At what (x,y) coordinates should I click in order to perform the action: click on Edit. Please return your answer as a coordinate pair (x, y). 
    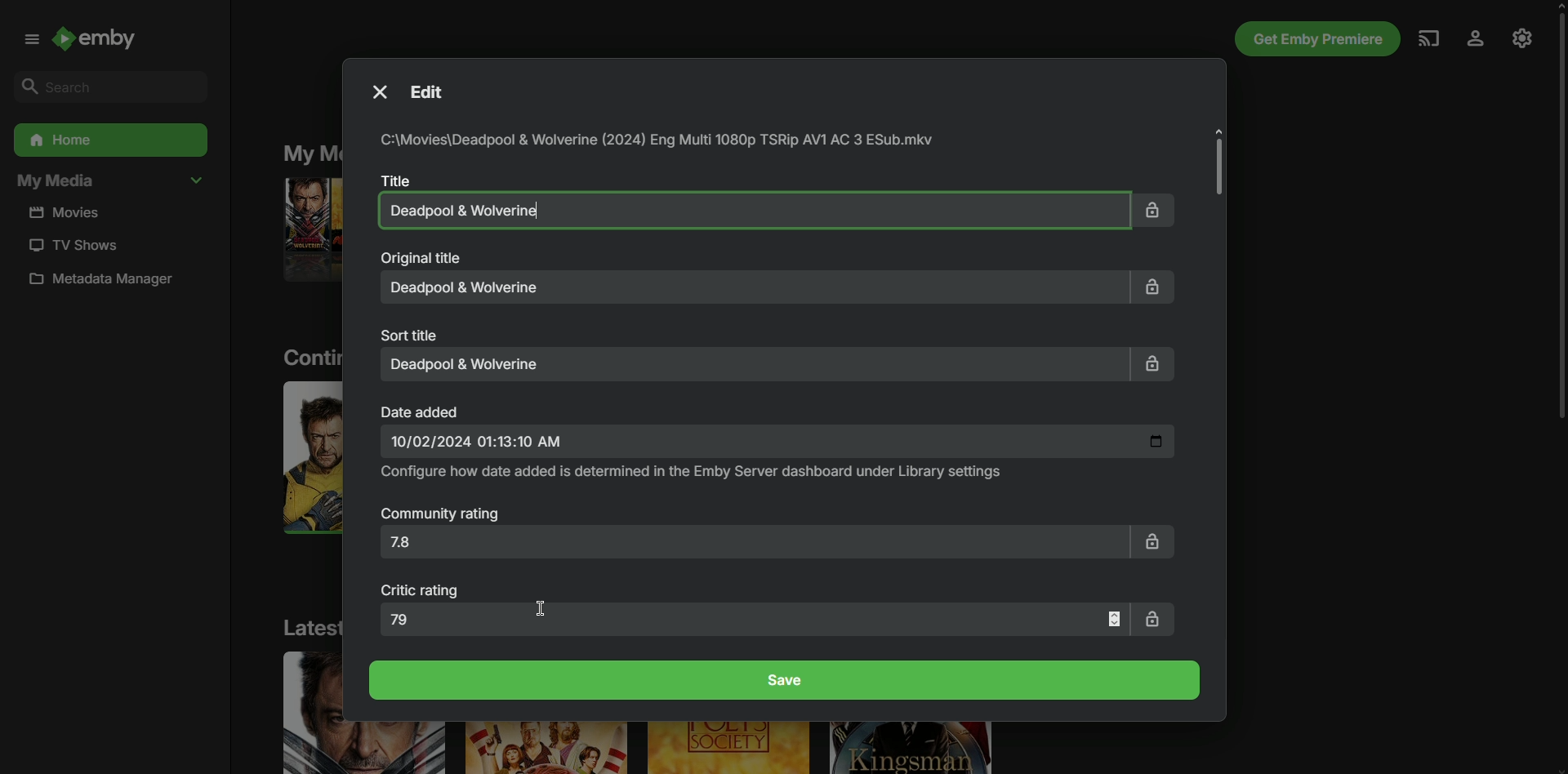
    Looking at the image, I should click on (436, 93).